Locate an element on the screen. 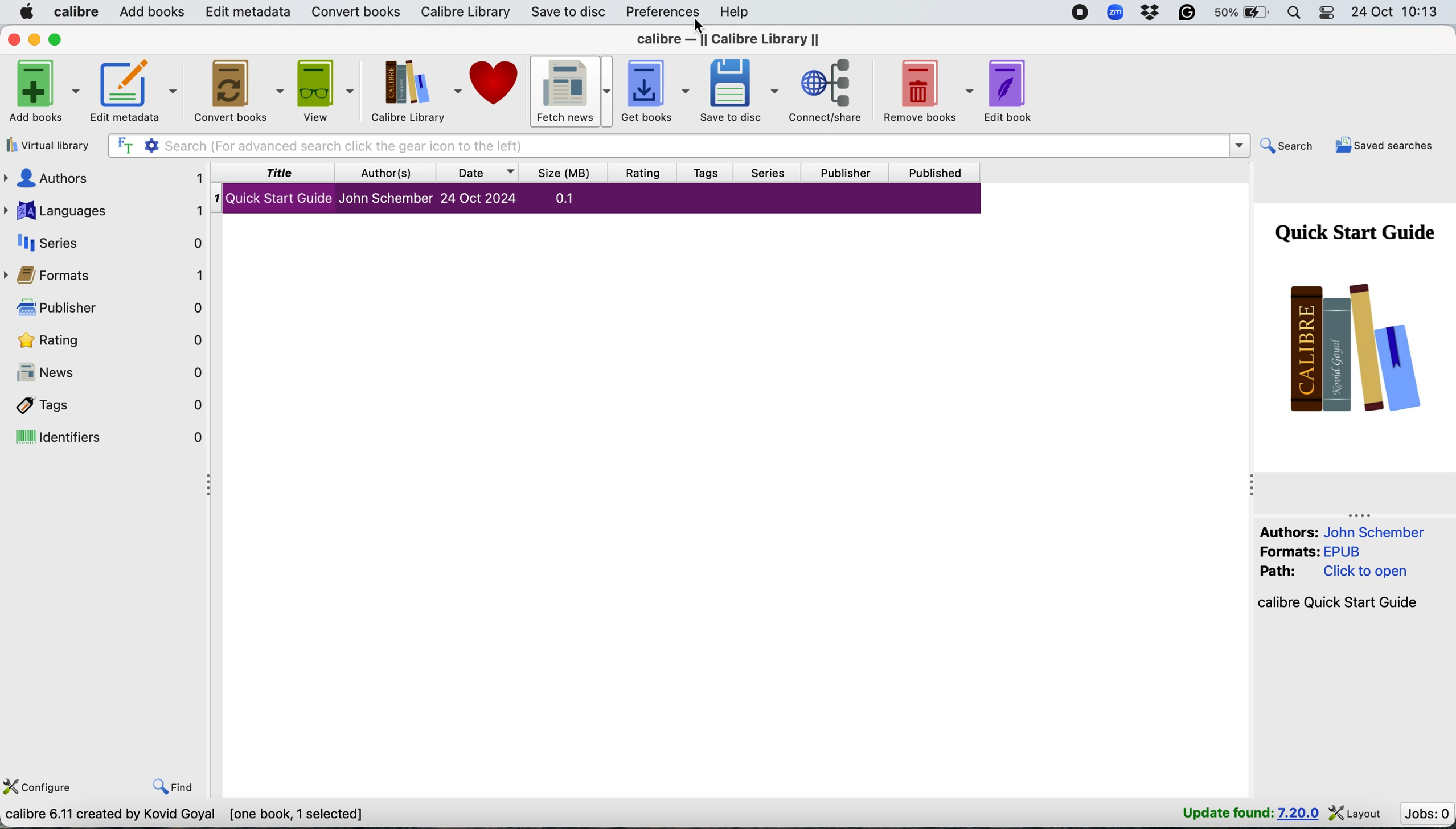  save to disc is located at coordinates (566, 13).